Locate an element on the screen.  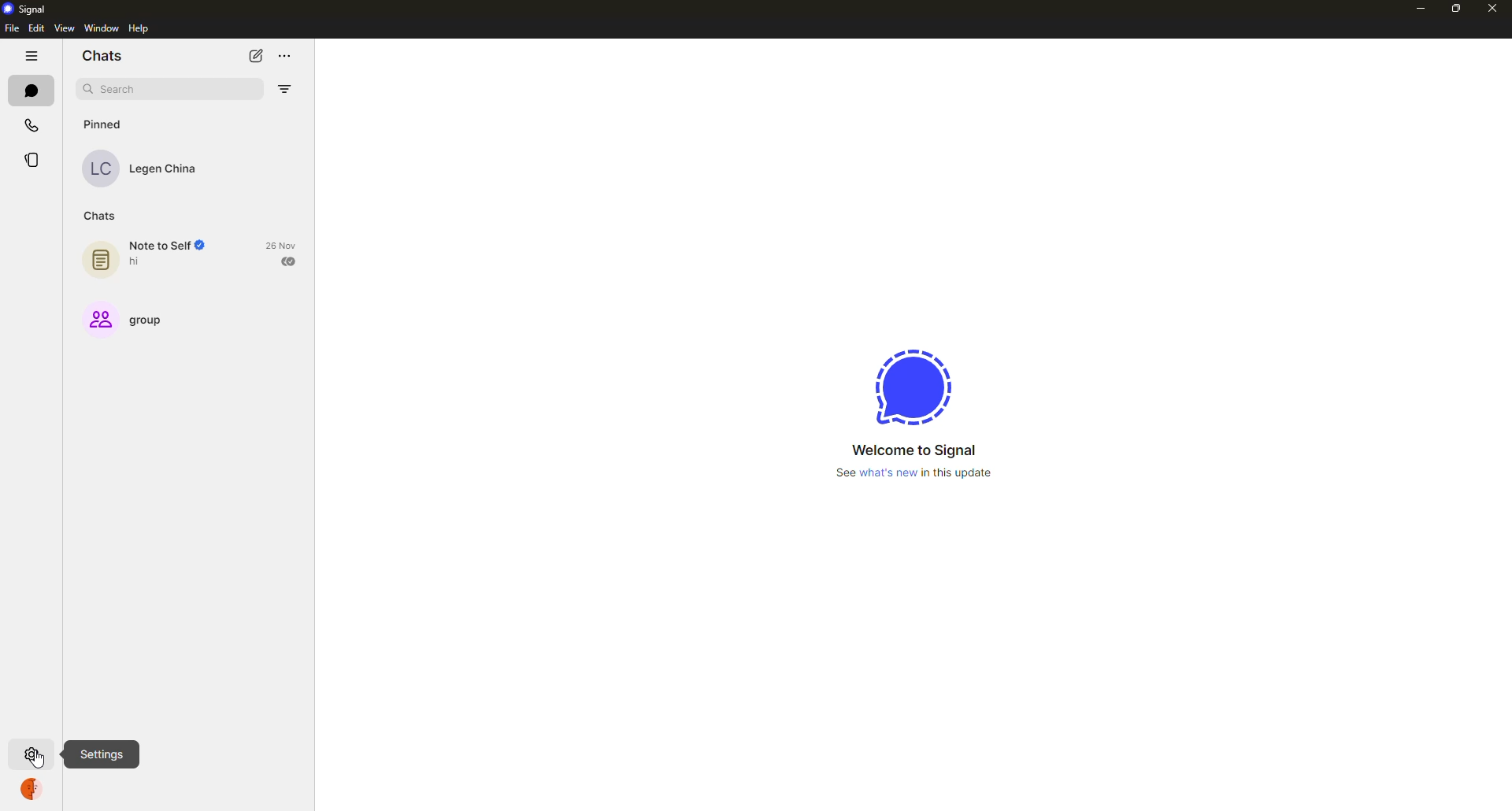
group is located at coordinates (98, 319).